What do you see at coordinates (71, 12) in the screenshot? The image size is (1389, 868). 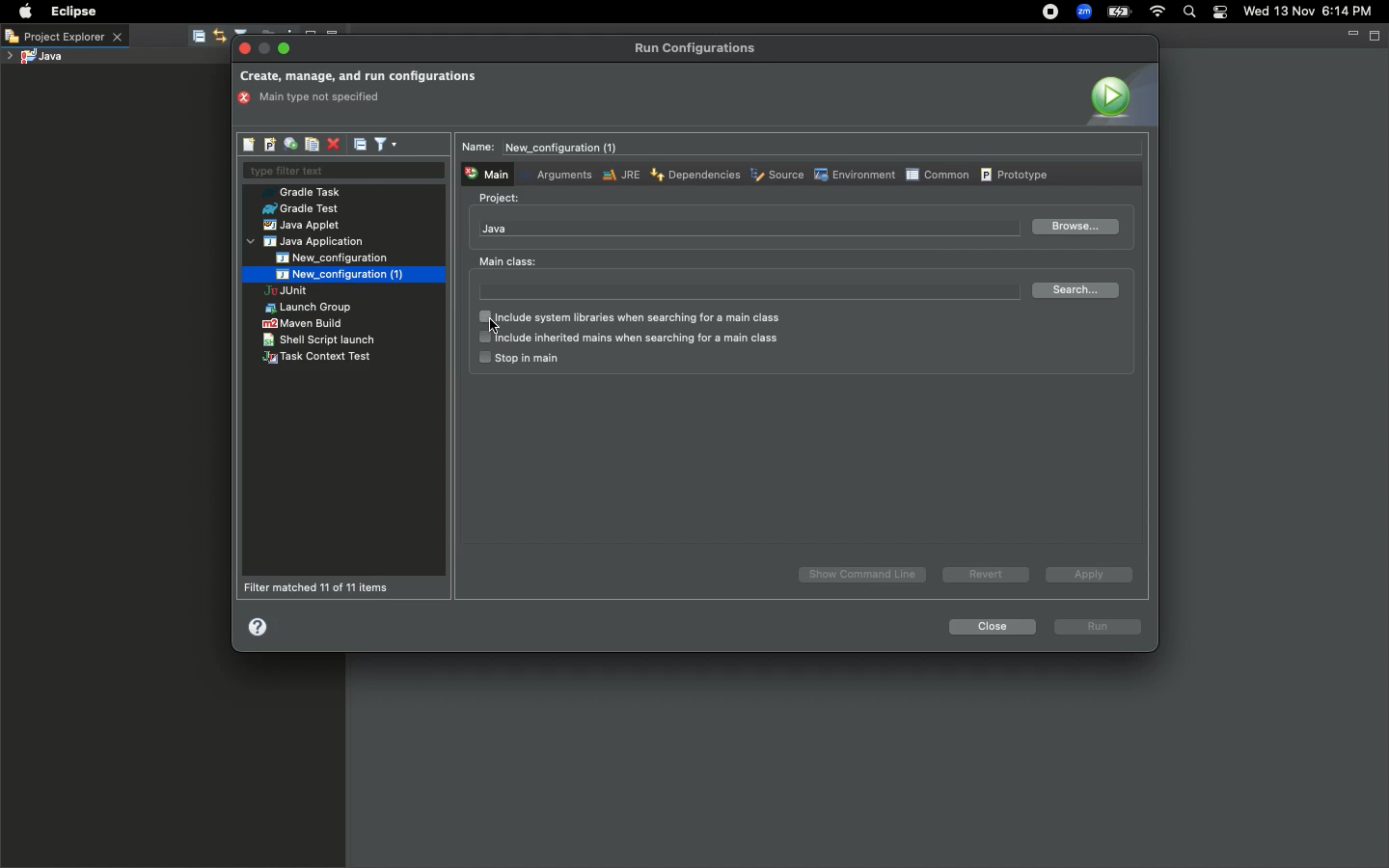 I see `Eclipse` at bounding box center [71, 12].